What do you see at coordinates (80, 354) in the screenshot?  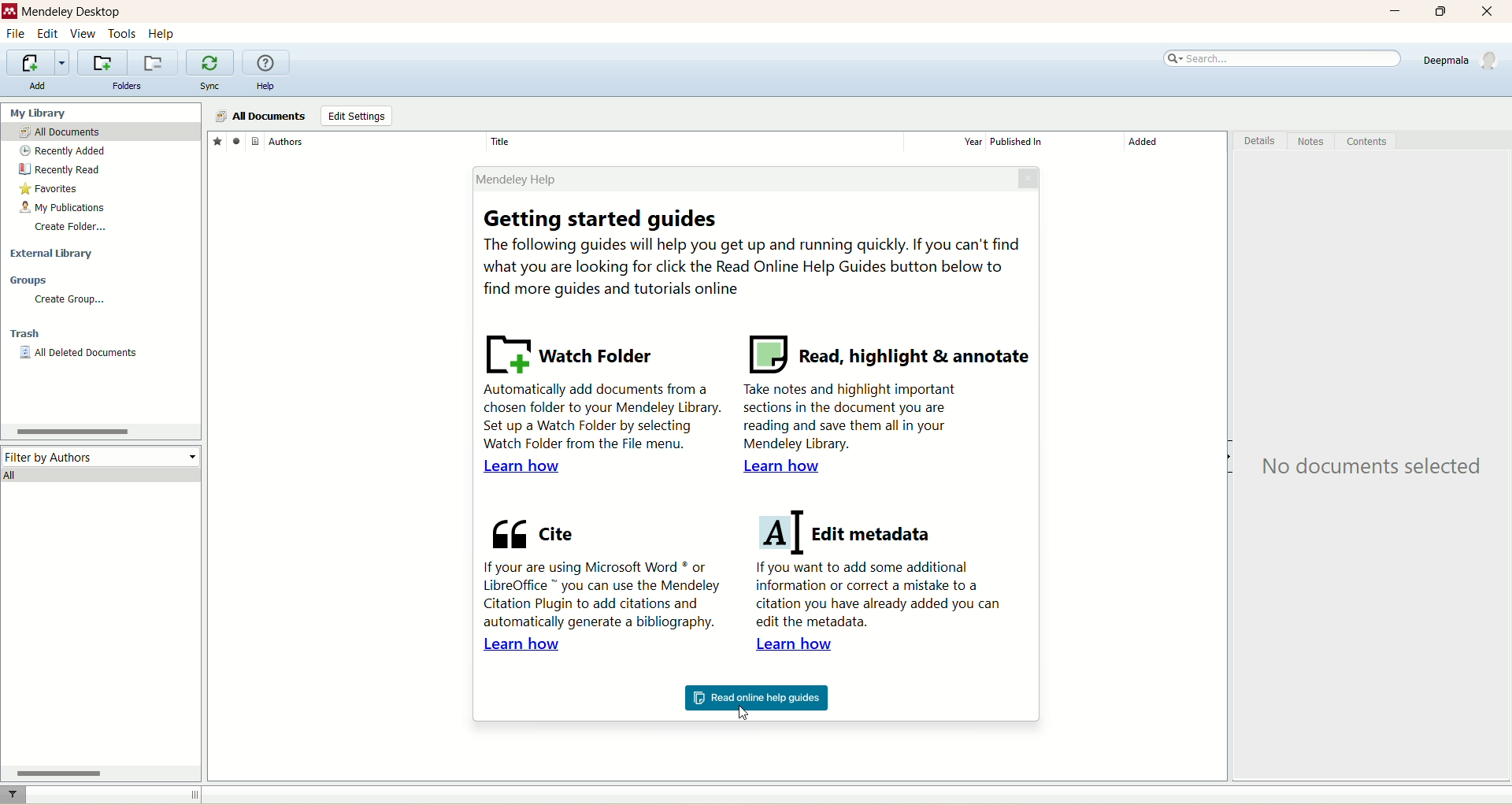 I see `all deleted material` at bounding box center [80, 354].